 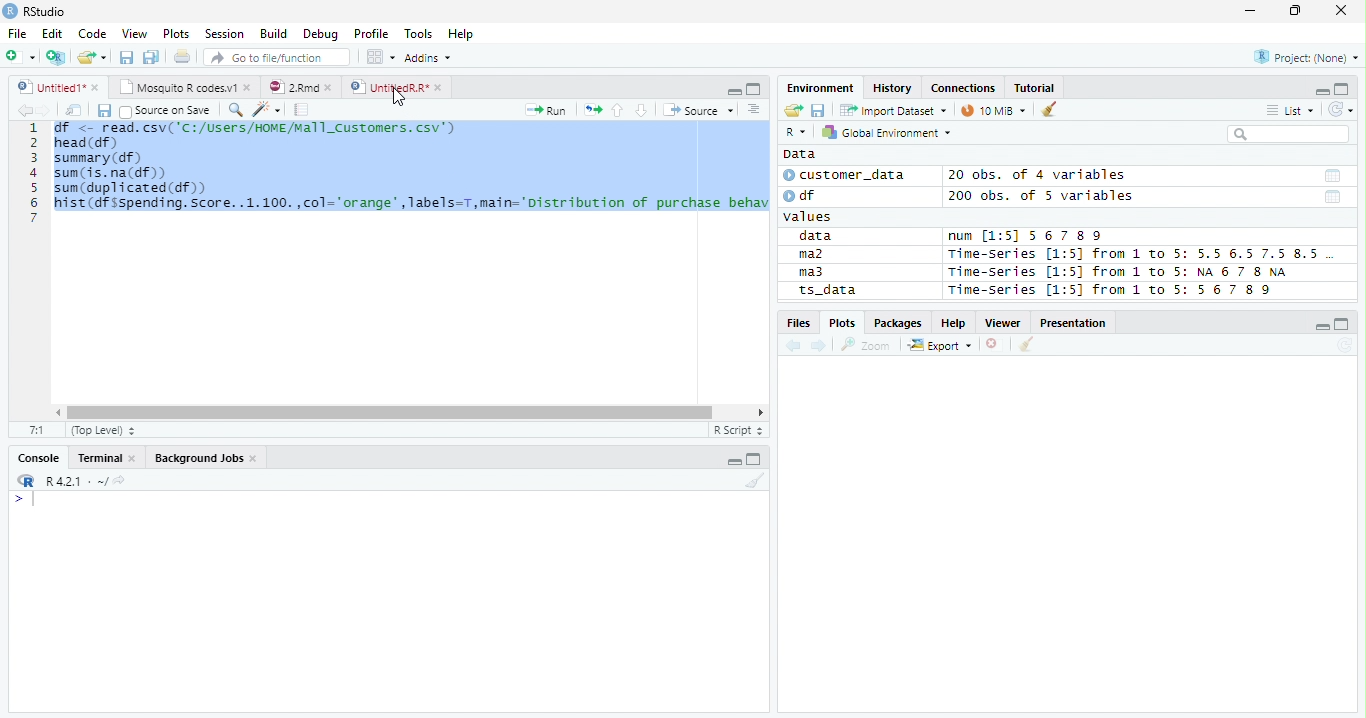 I want to click on Close, so click(x=1340, y=11).